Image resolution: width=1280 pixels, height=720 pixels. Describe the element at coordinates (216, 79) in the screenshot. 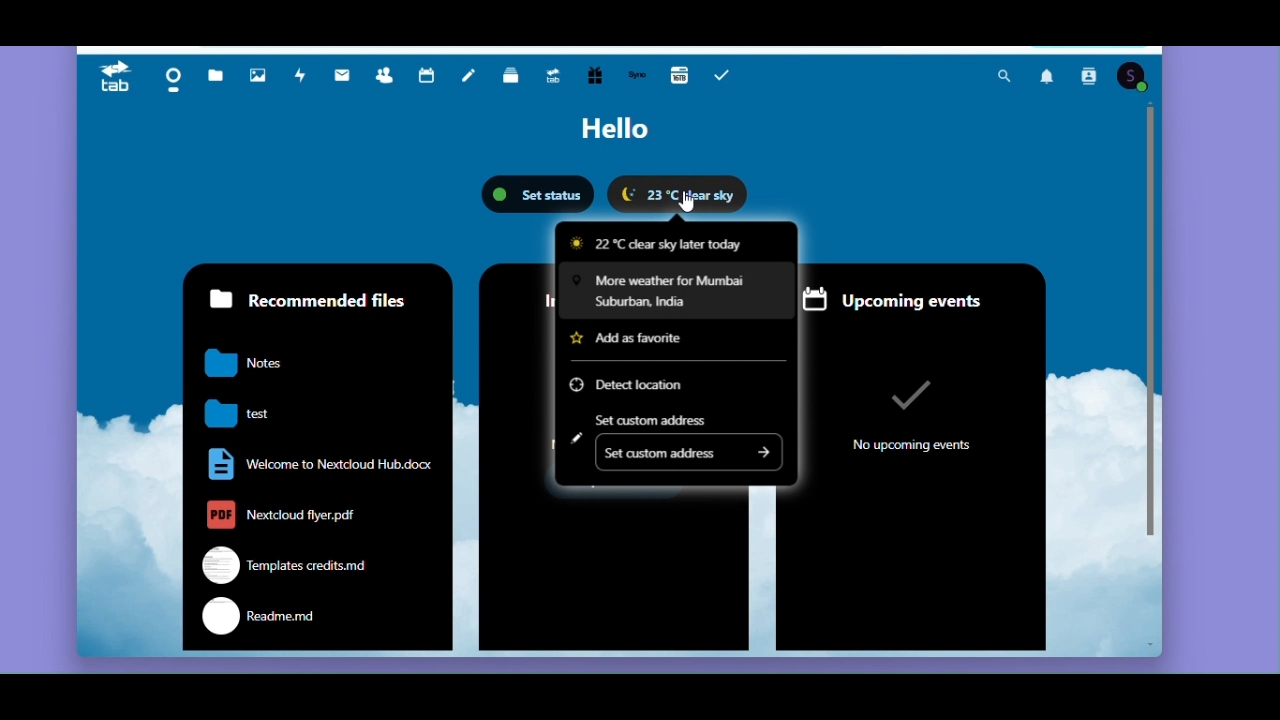

I see `Files` at that location.